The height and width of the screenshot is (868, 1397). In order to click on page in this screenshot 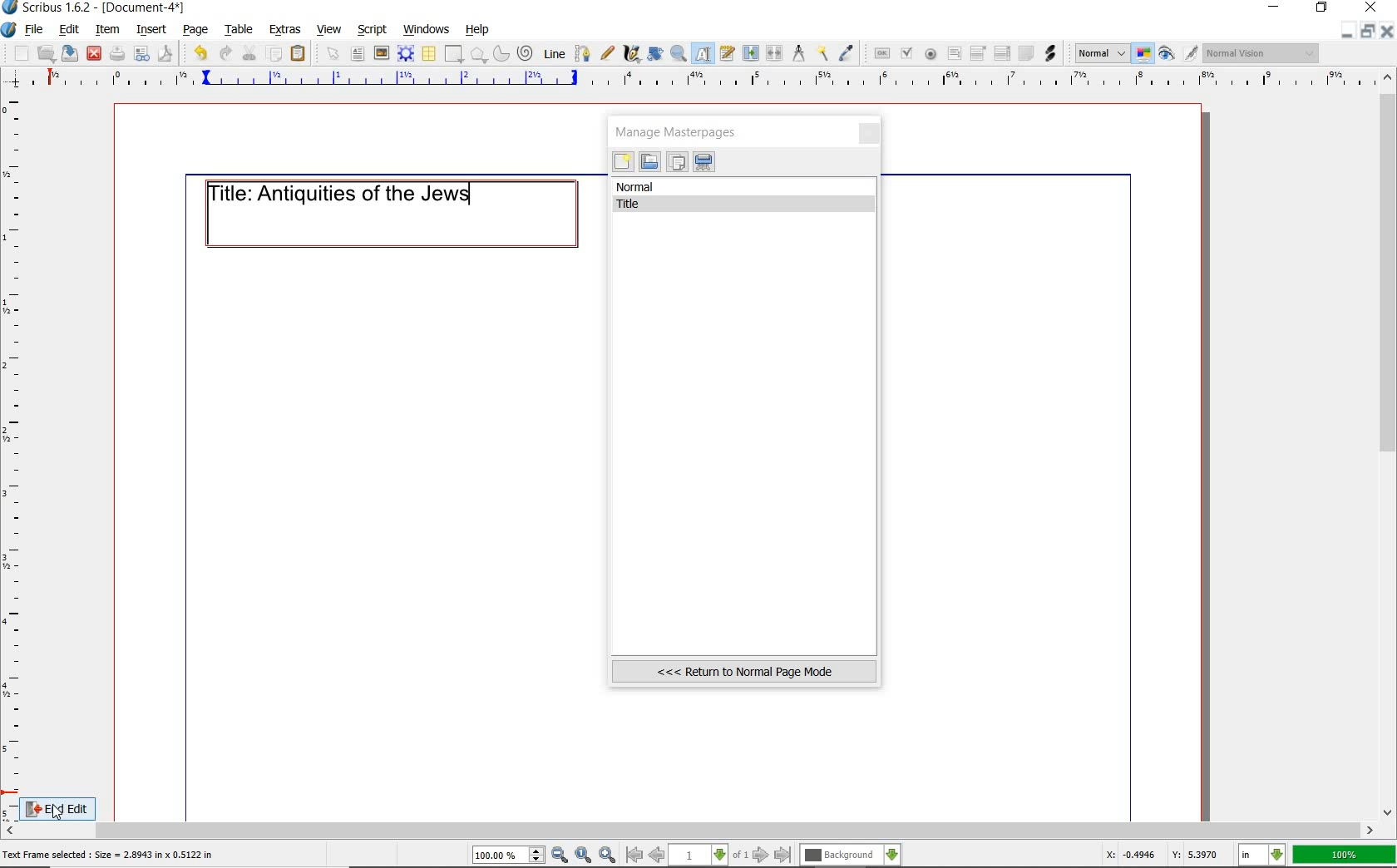, I will do `click(196, 28)`.